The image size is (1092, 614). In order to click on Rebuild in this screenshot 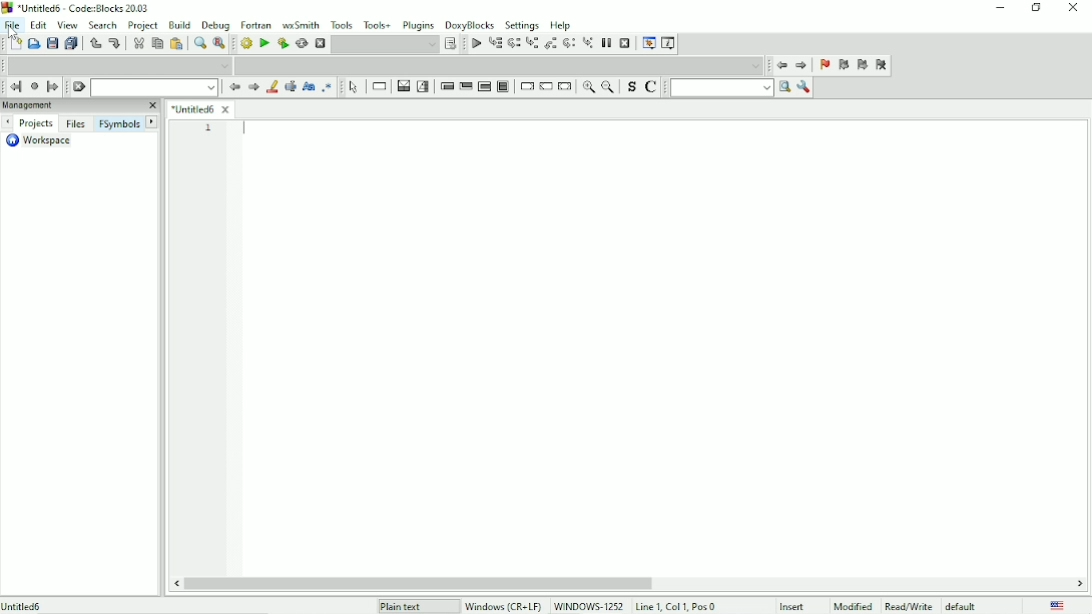, I will do `click(302, 44)`.